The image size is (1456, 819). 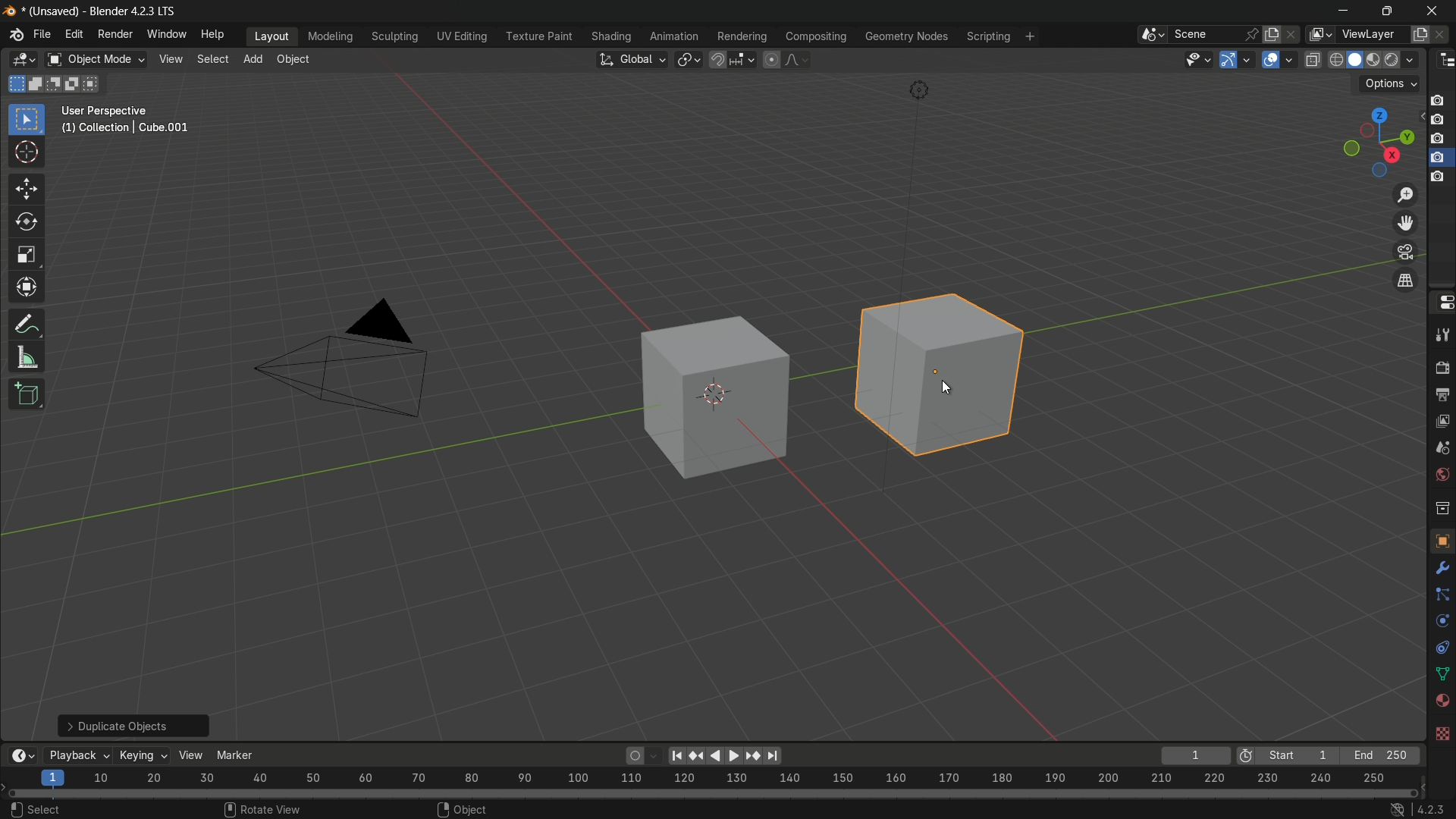 I want to click on file menu, so click(x=42, y=33).